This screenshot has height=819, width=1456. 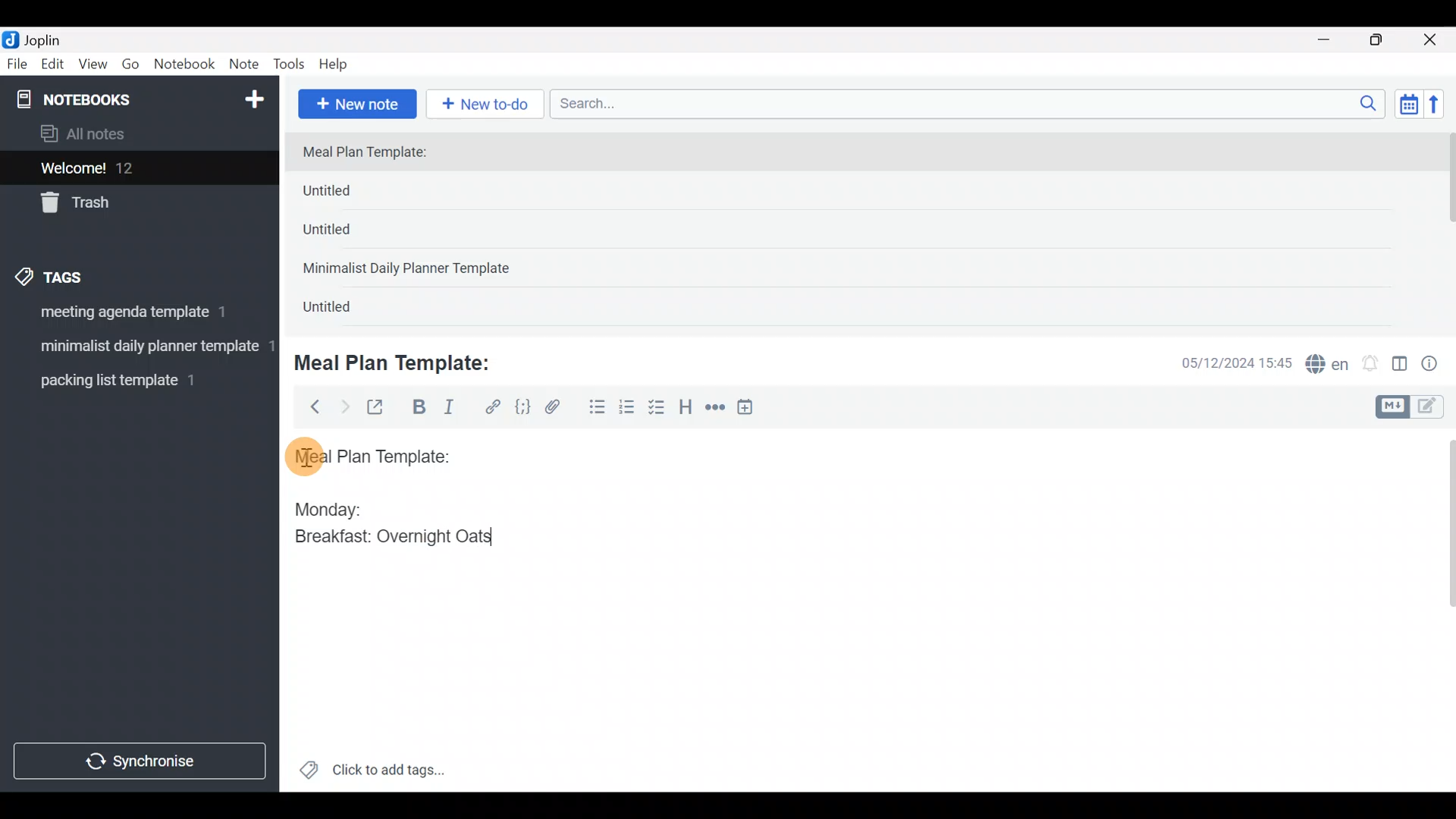 What do you see at coordinates (85, 275) in the screenshot?
I see `Tags` at bounding box center [85, 275].